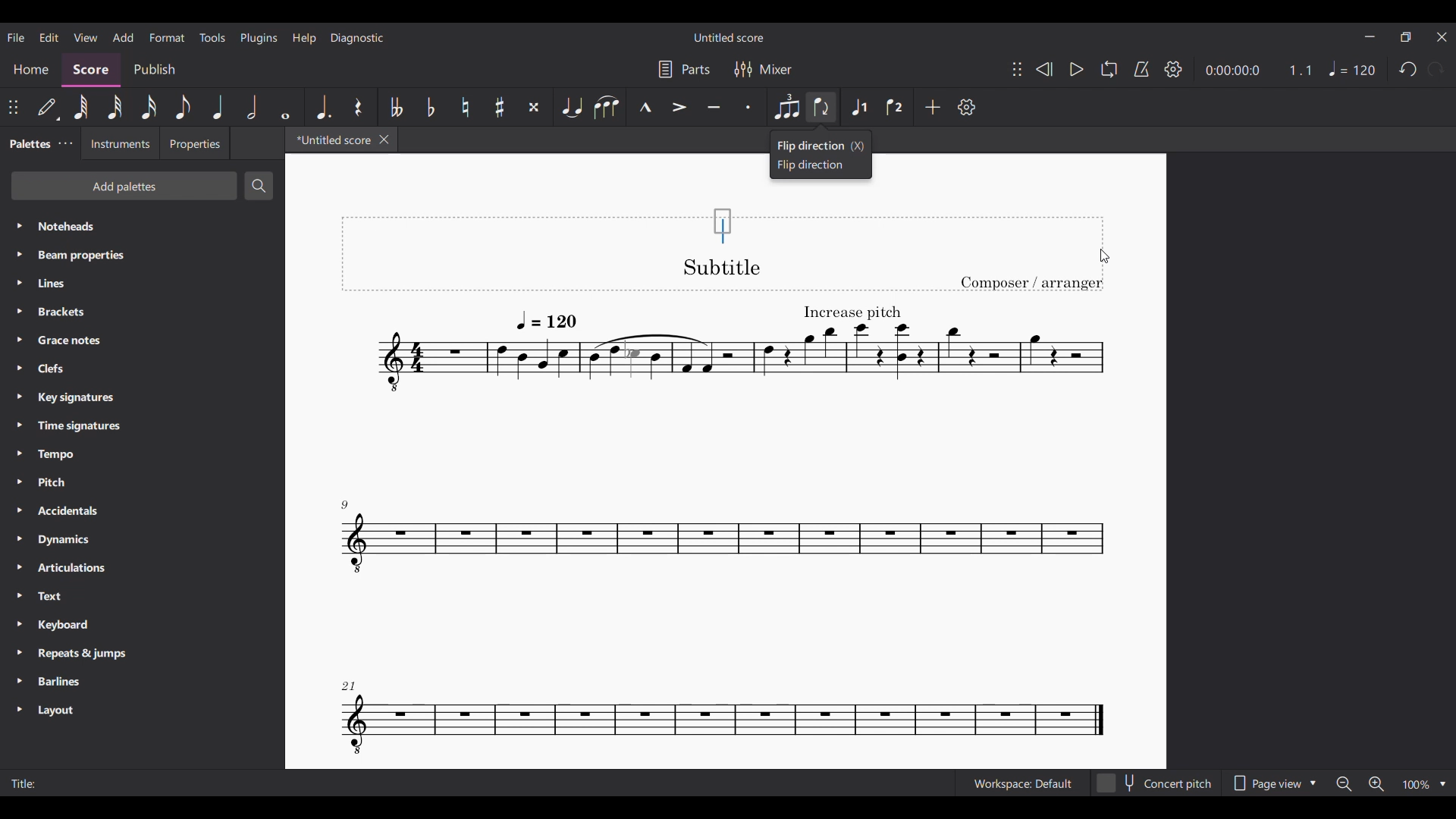  I want to click on Layout, so click(142, 711).